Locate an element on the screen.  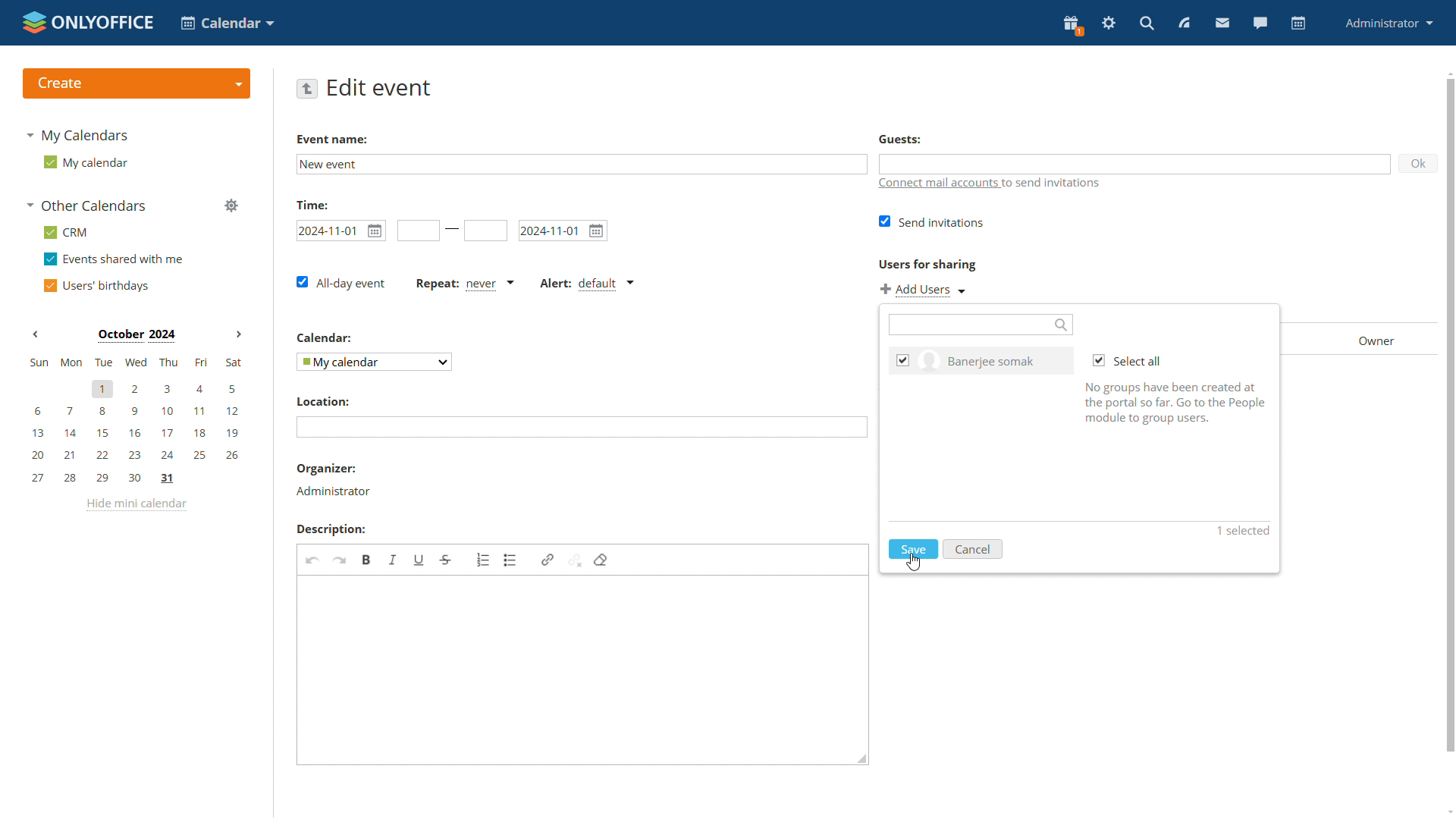
Cursor is located at coordinates (913, 562).